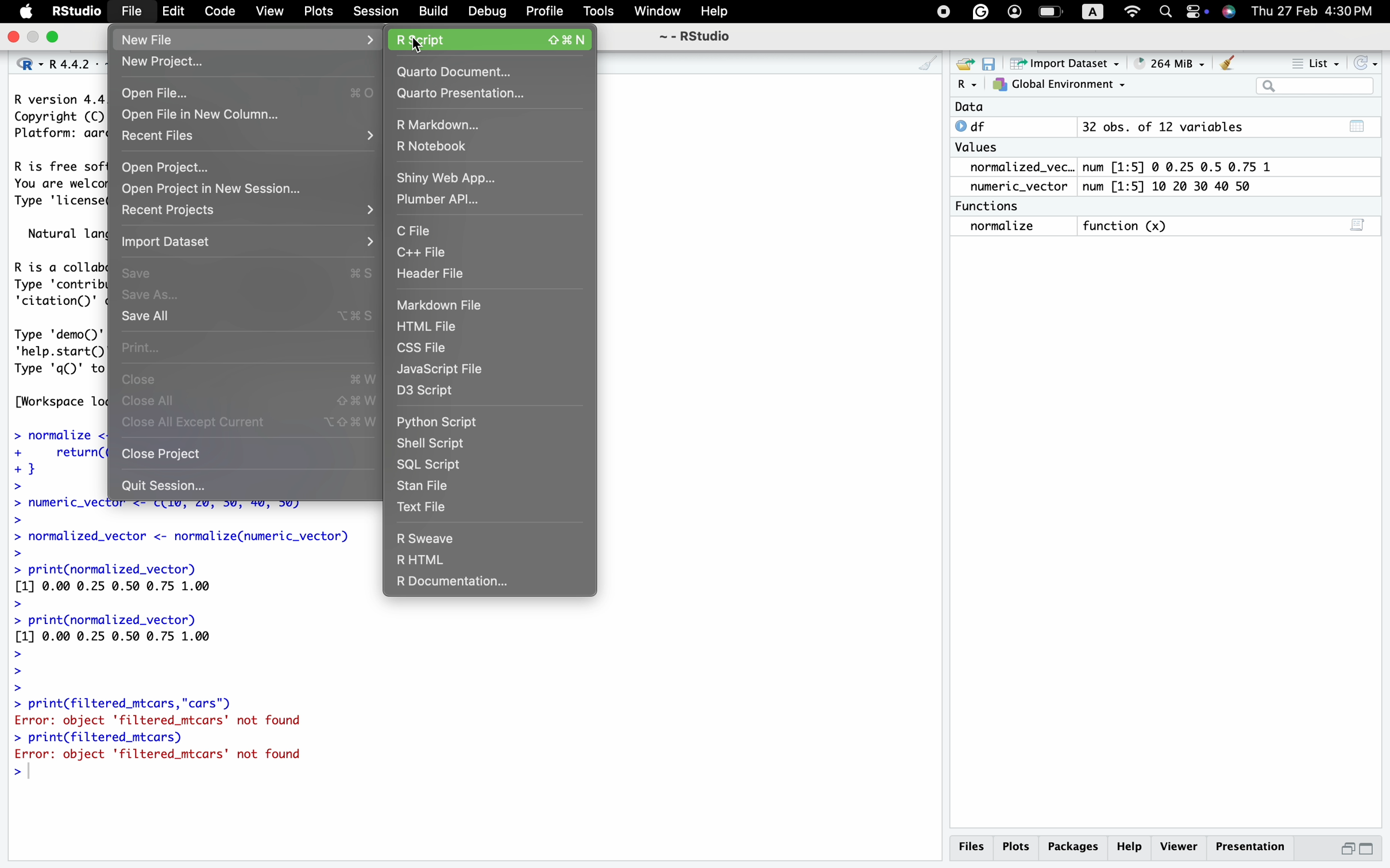 The image size is (1390, 868). Describe the element at coordinates (59, 402) in the screenshot. I see `[Workspace lo` at that location.